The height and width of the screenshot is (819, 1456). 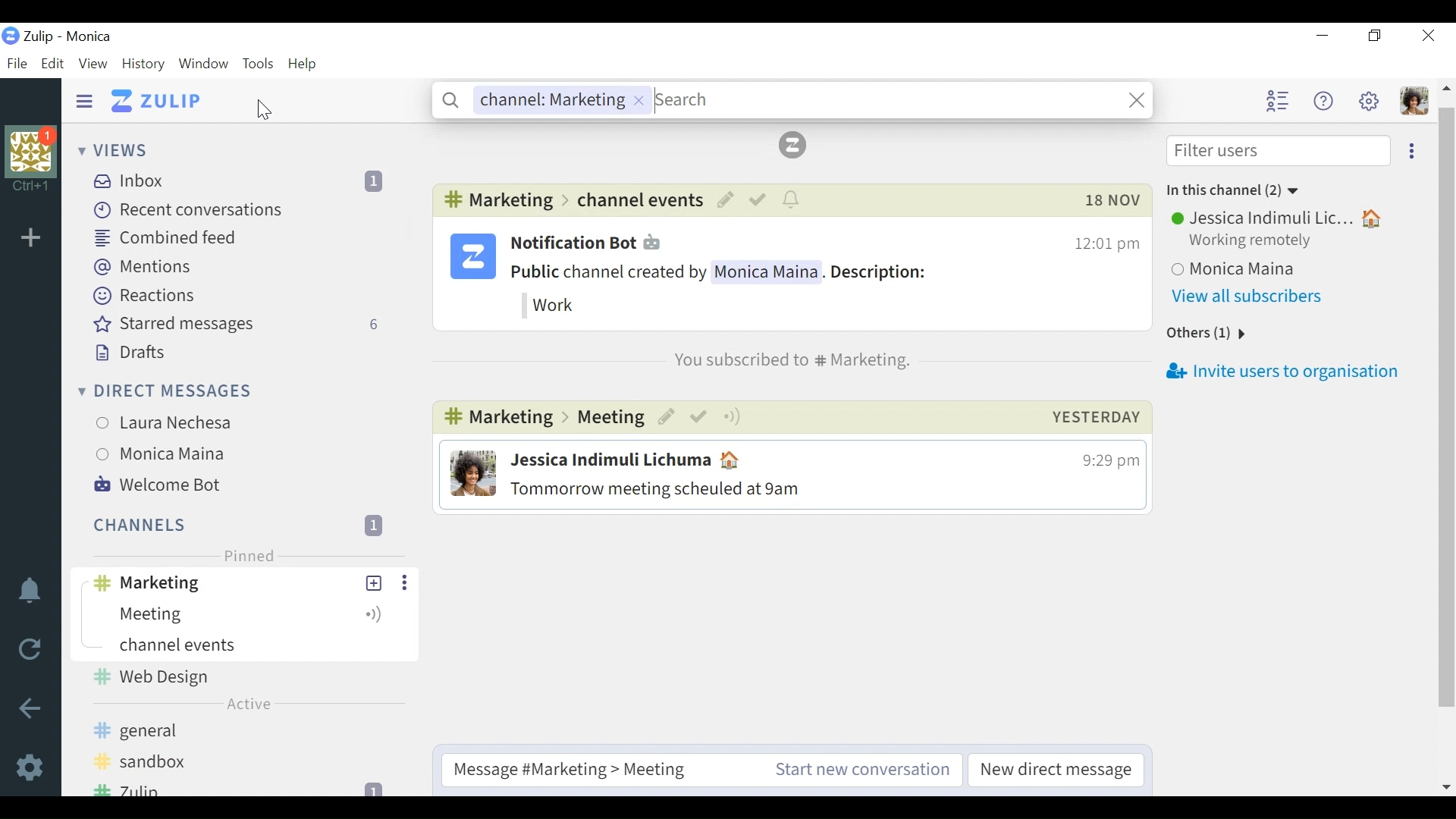 I want to click on Welcome Bot, so click(x=156, y=485).